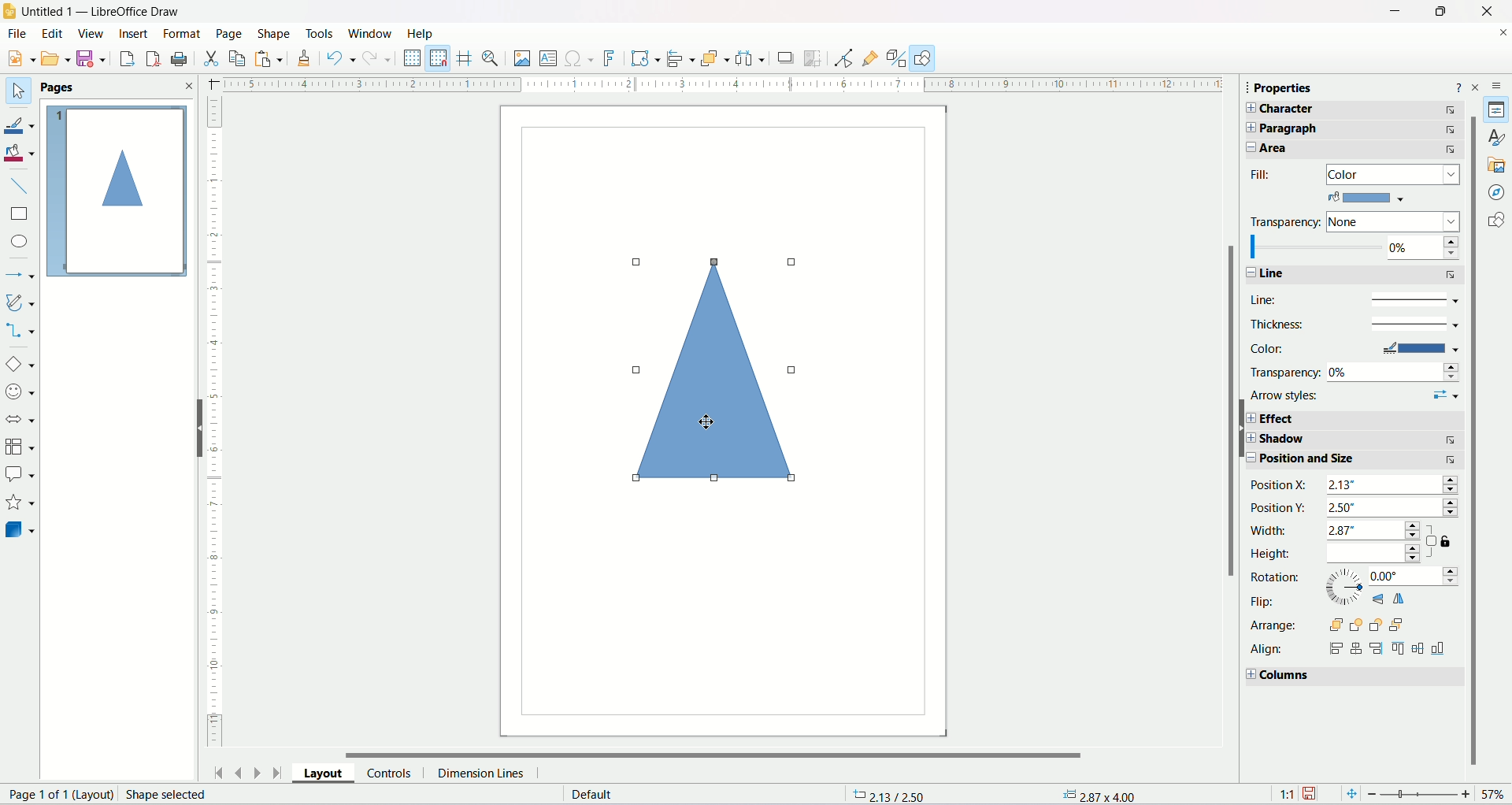  What do you see at coordinates (425, 33) in the screenshot?
I see `Help` at bounding box center [425, 33].